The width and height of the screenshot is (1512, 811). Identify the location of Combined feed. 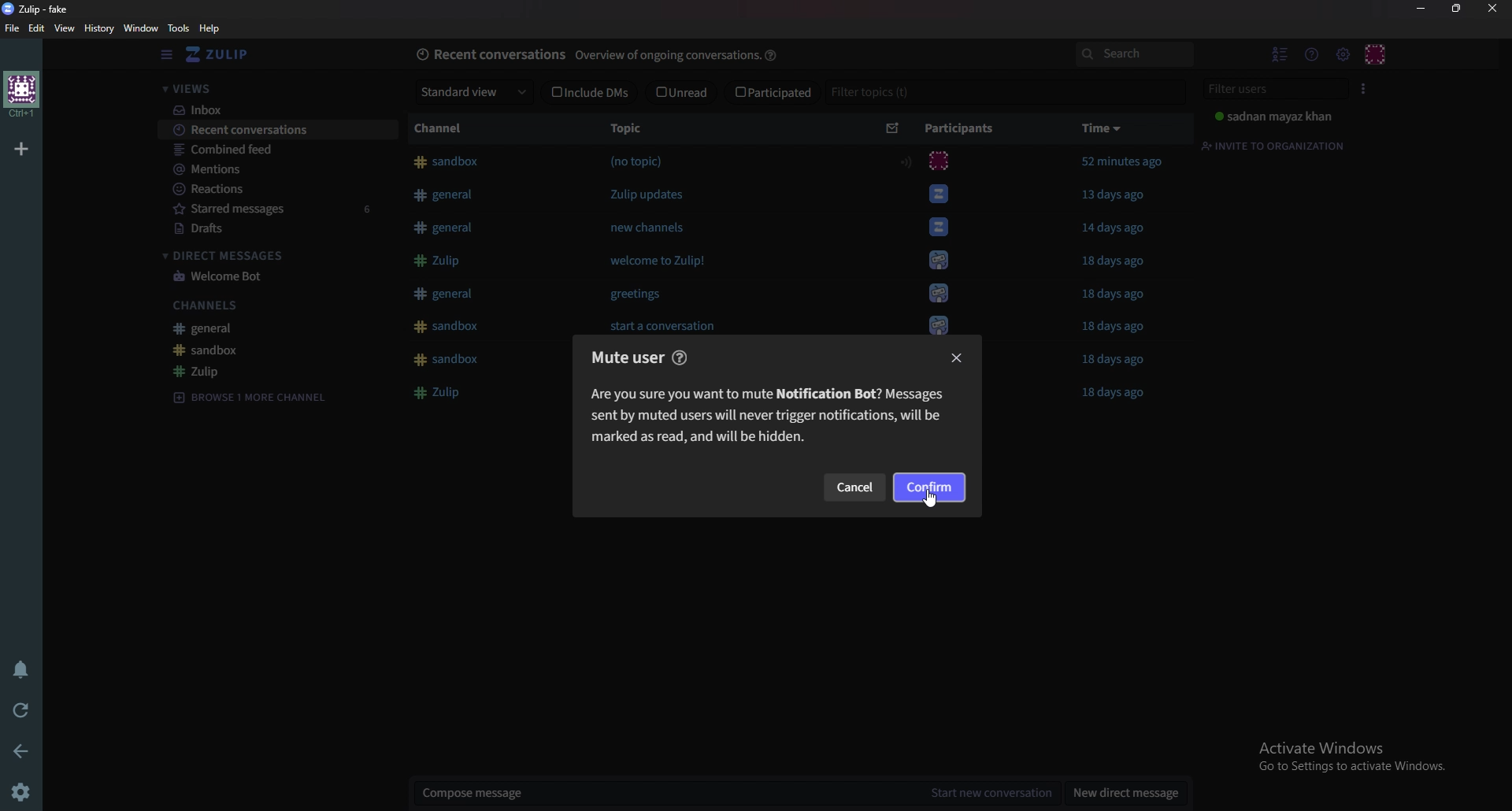
(271, 150).